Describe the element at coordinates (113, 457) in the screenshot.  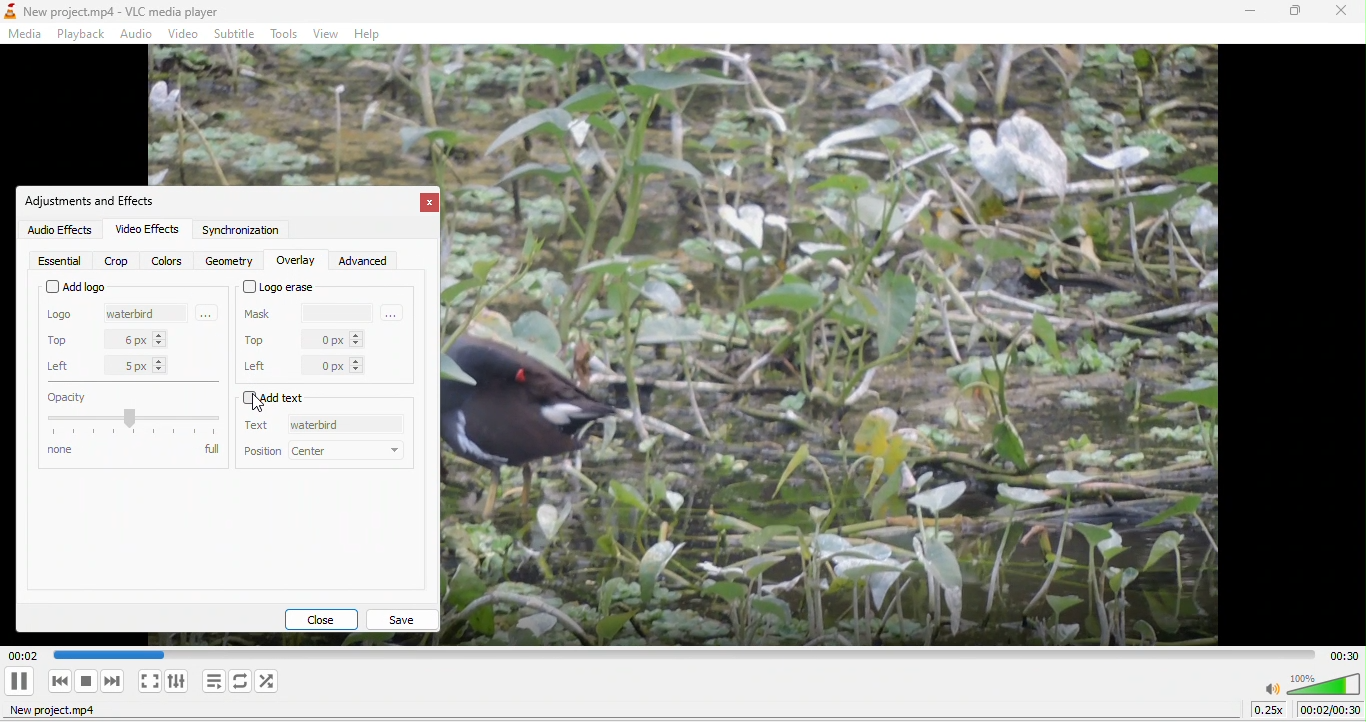
I see `none` at that location.